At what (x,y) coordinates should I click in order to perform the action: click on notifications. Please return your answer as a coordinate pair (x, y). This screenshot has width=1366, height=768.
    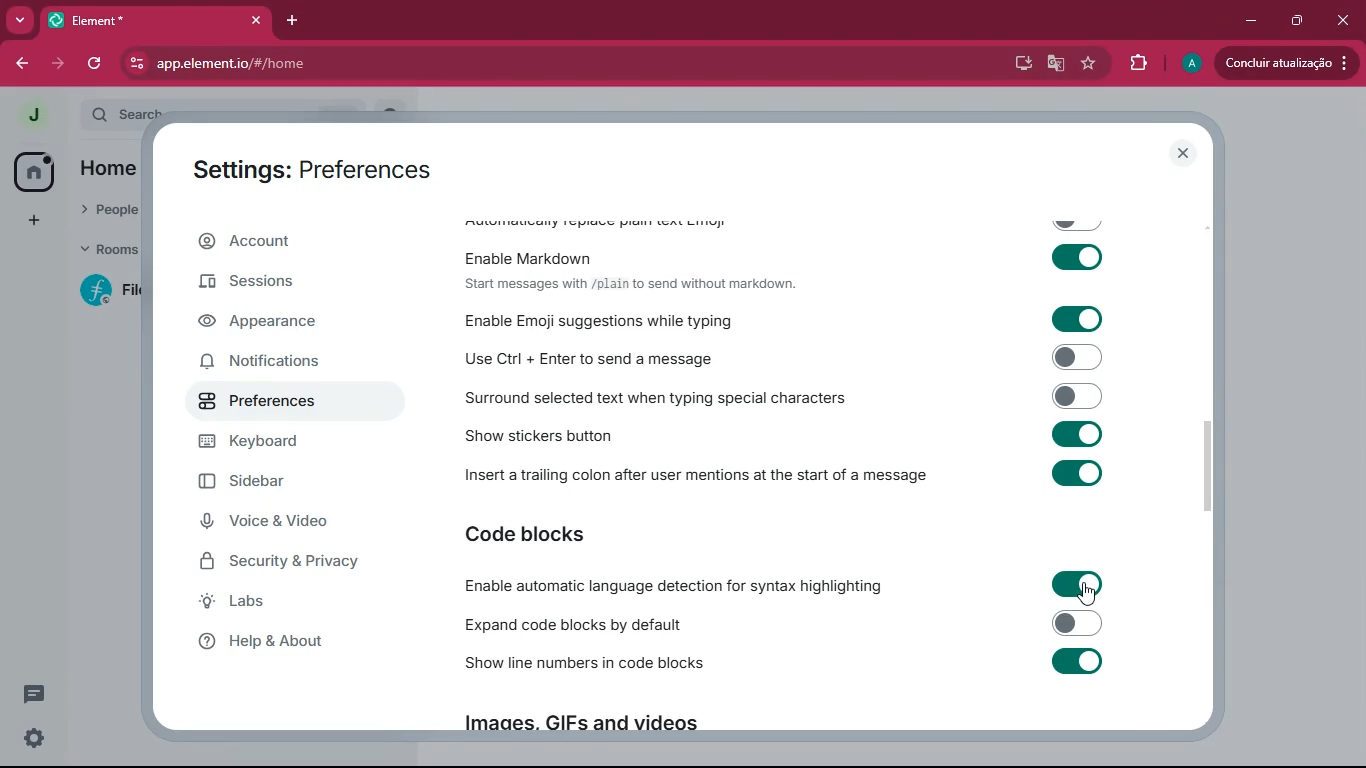
    Looking at the image, I should click on (285, 365).